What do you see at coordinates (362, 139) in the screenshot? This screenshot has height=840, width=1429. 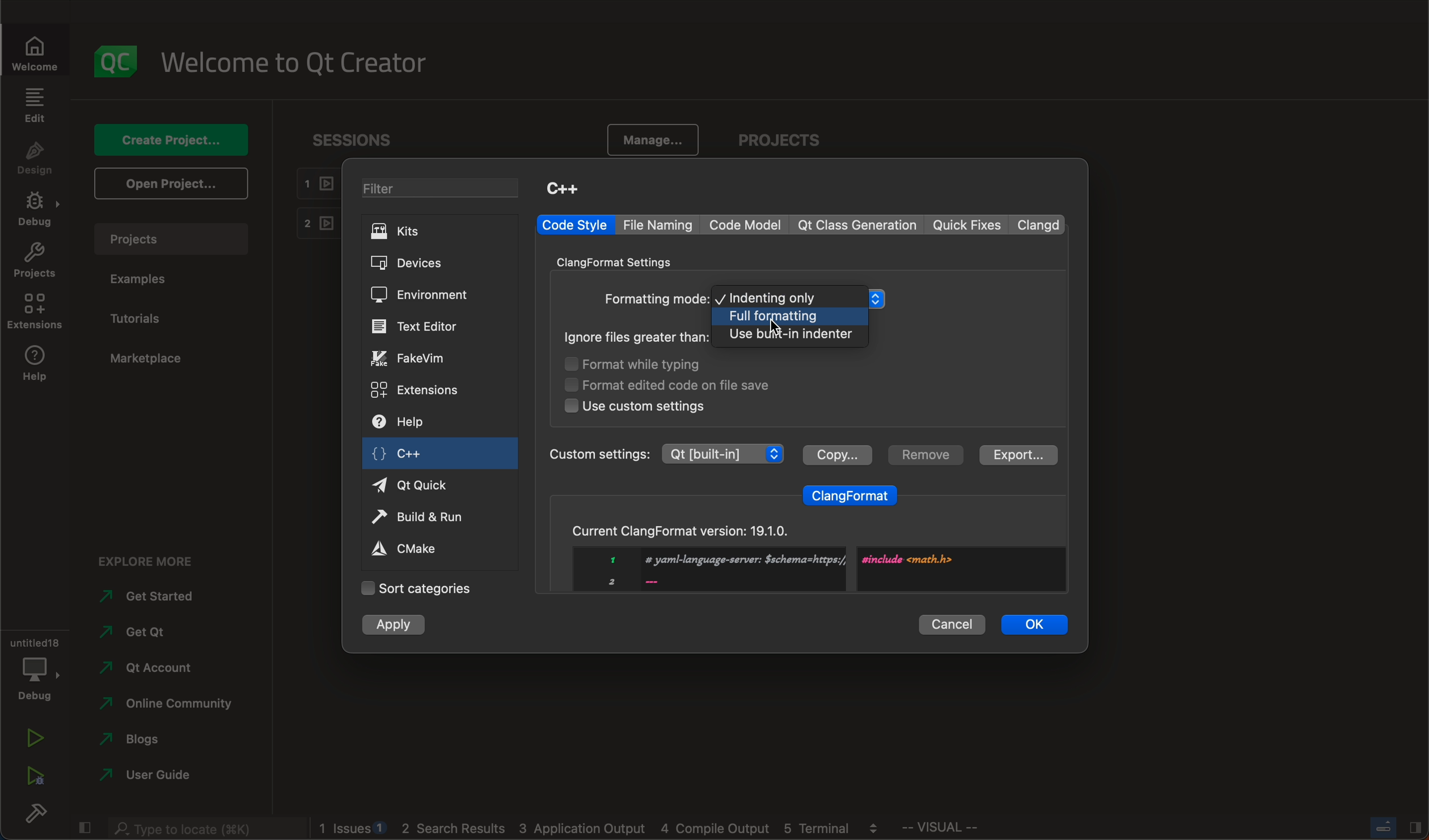 I see `sessions` at bounding box center [362, 139].